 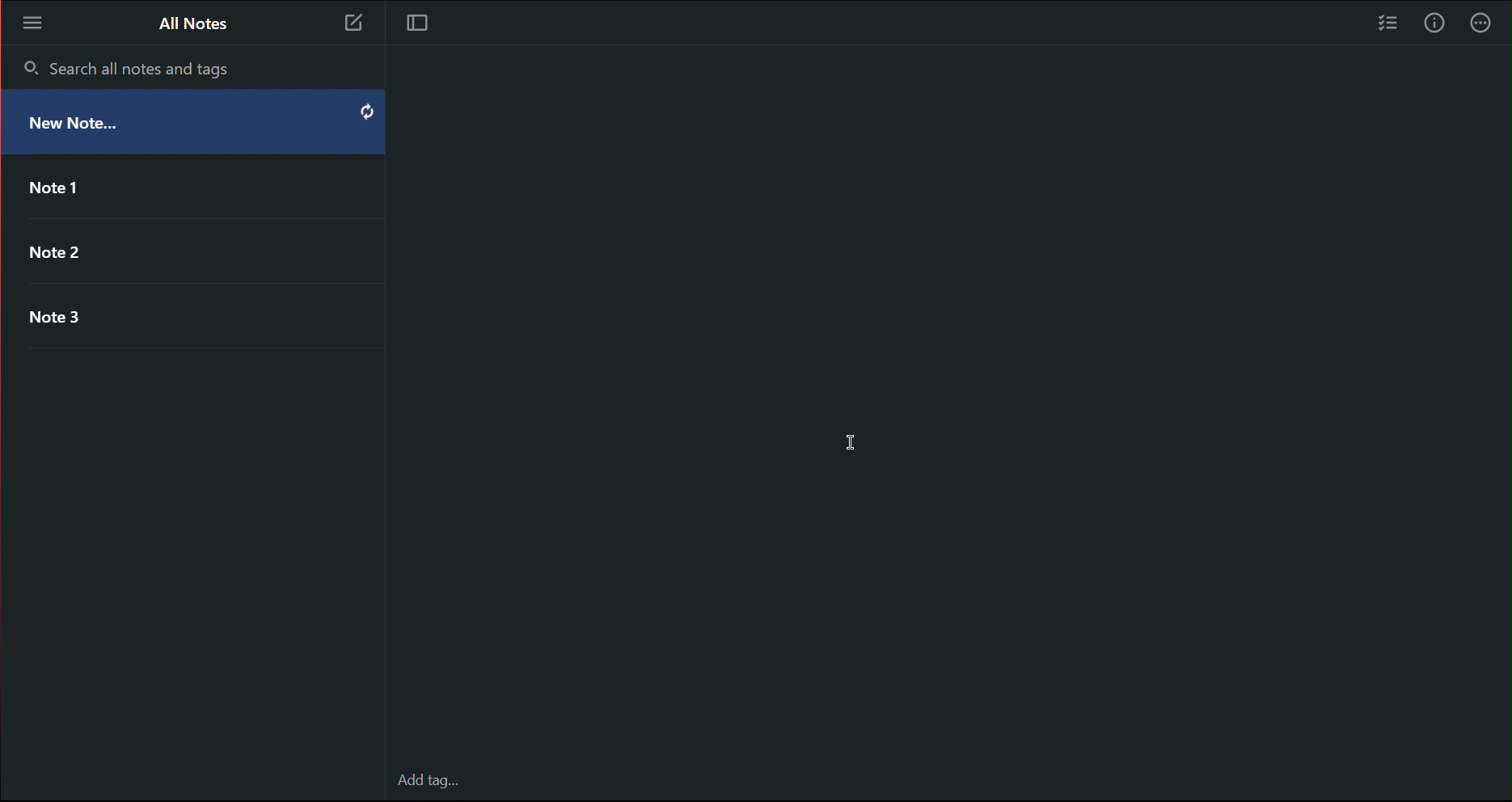 I want to click on More, so click(x=32, y=21).